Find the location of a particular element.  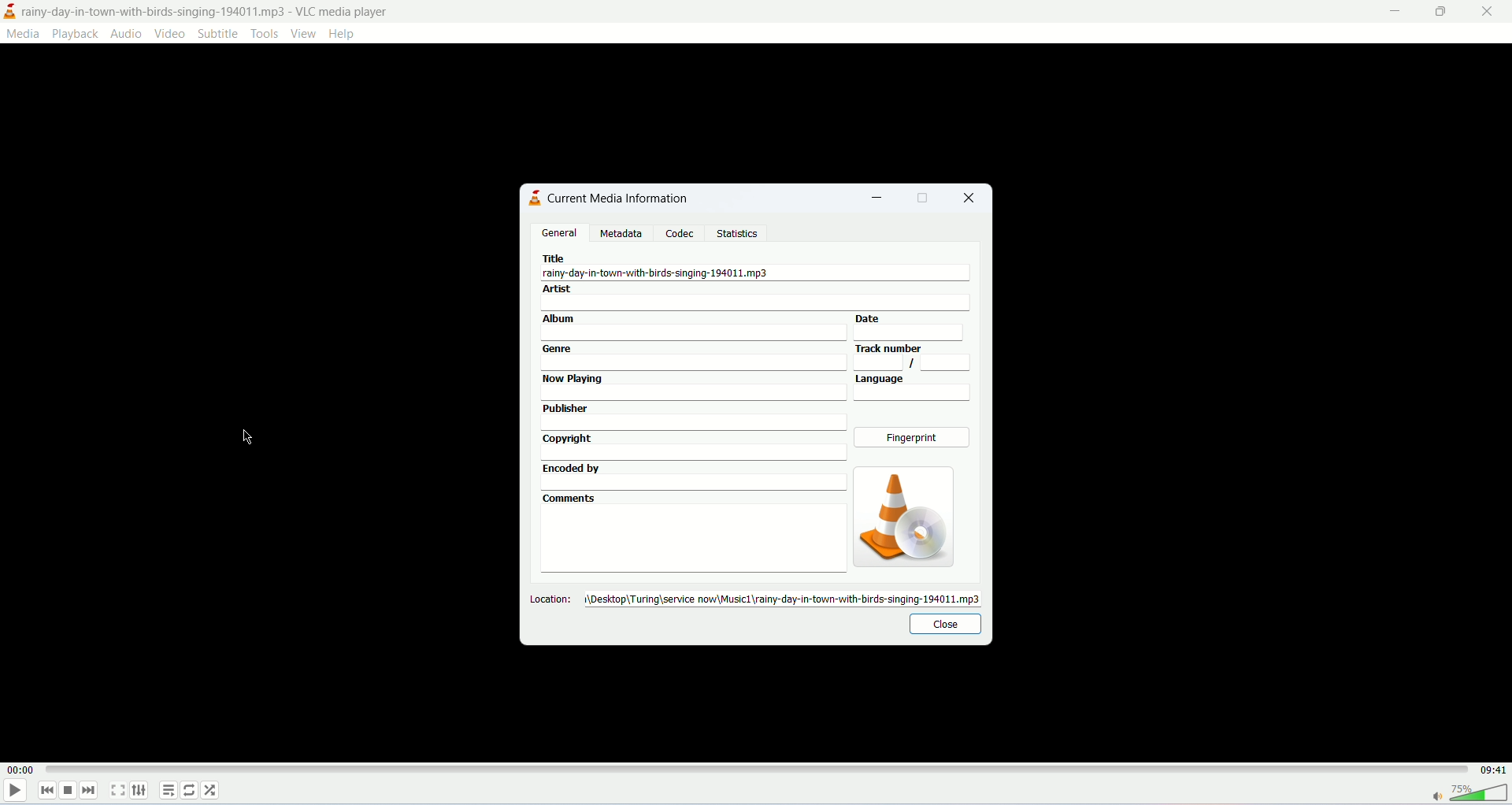

subtitle is located at coordinates (217, 33).